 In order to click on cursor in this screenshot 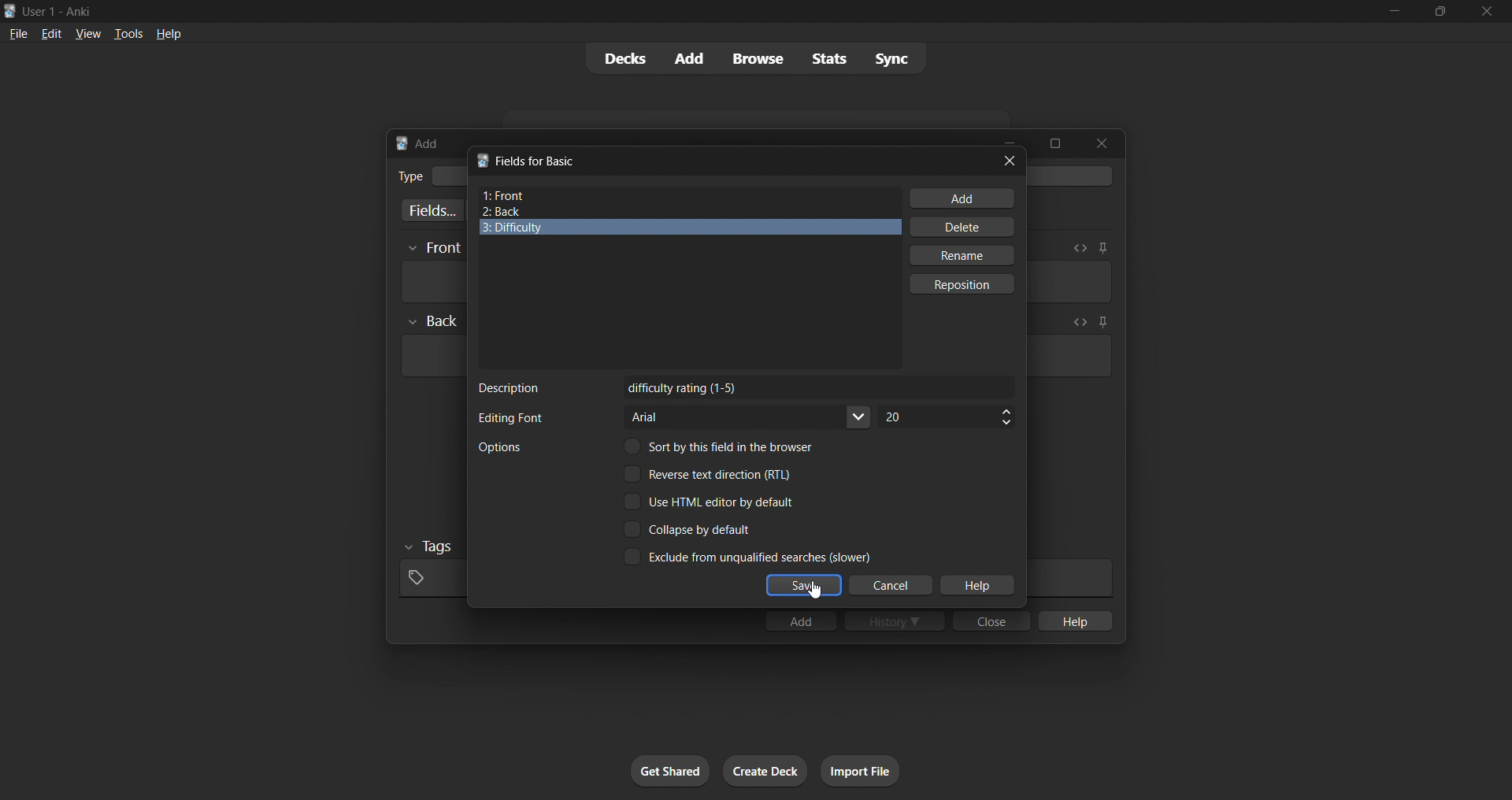, I will do `click(814, 590)`.